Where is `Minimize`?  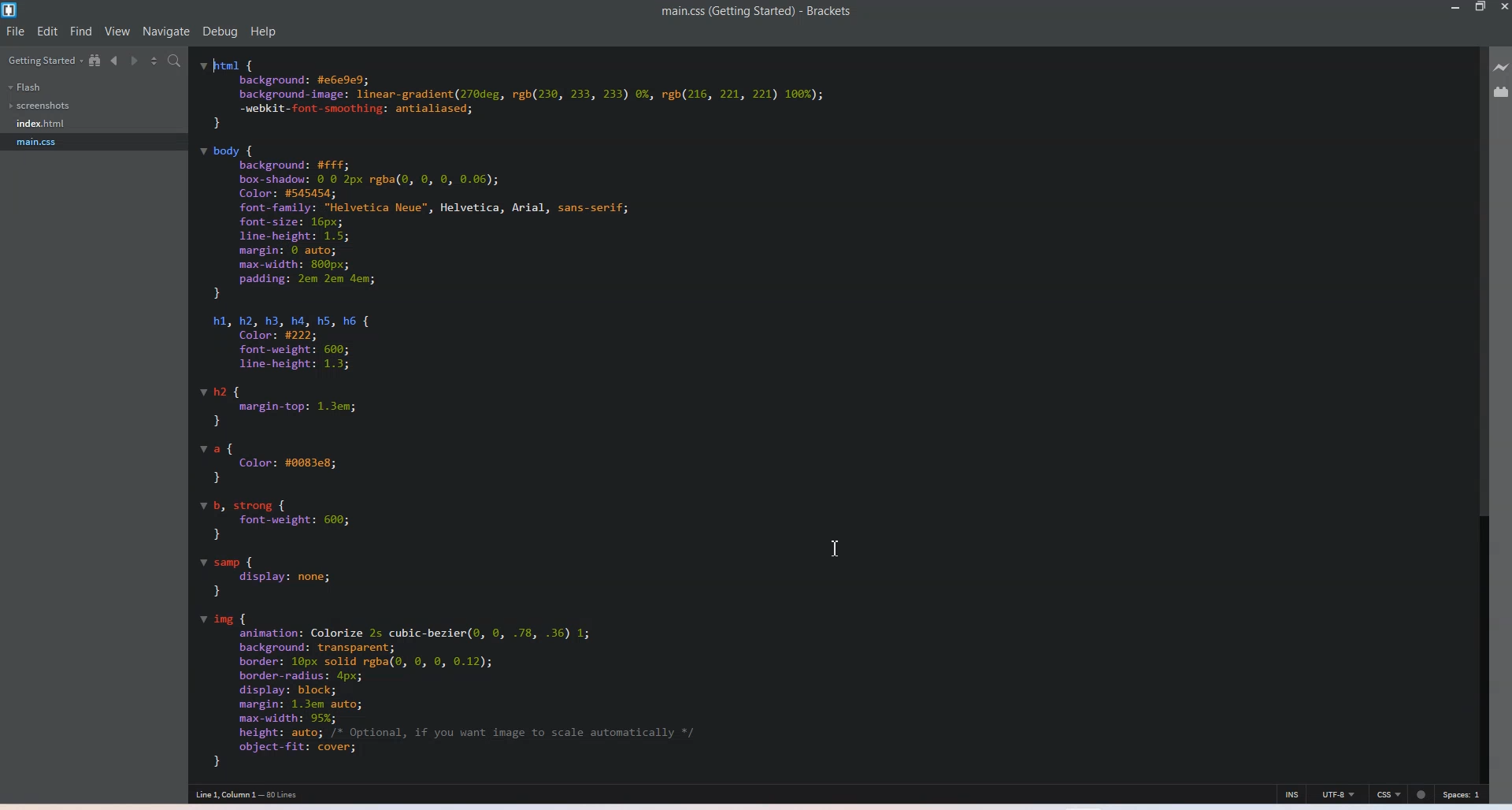
Minimize is located at coordinates (1453, 8).